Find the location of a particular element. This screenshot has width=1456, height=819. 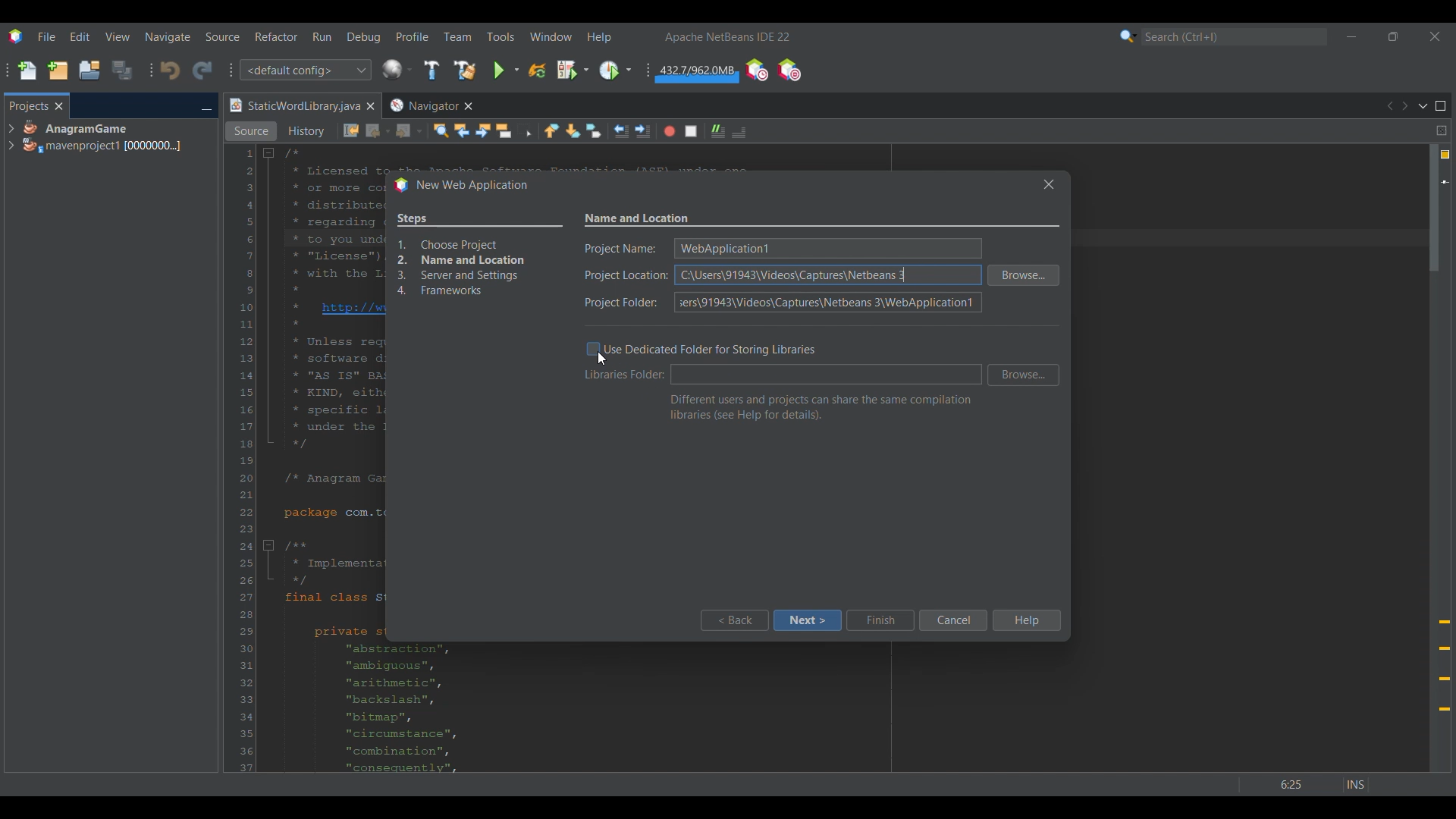

Overview of process changed is located at coordinates (479, 256).